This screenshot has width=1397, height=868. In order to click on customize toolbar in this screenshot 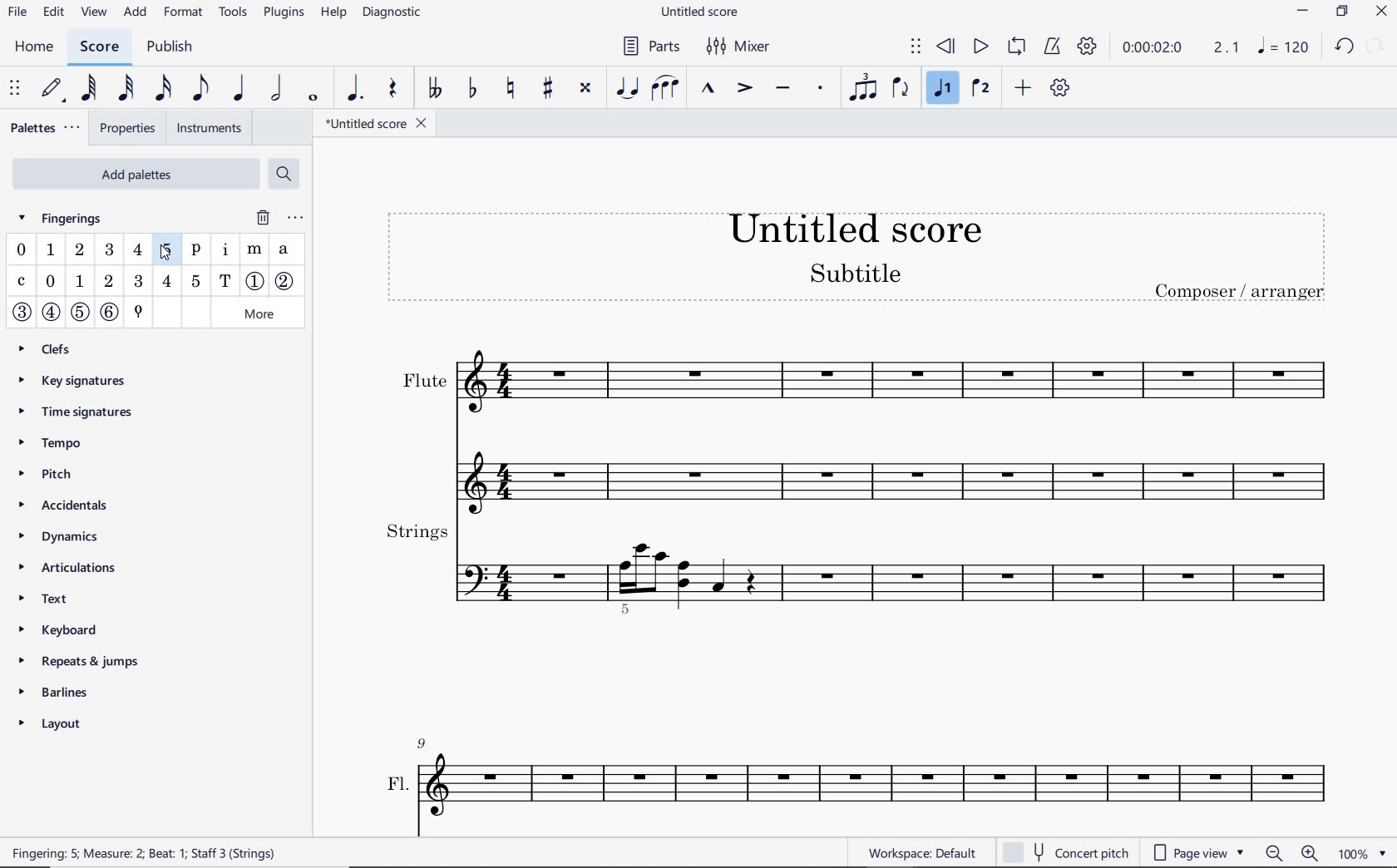, I will do `click(1061, 89)`.